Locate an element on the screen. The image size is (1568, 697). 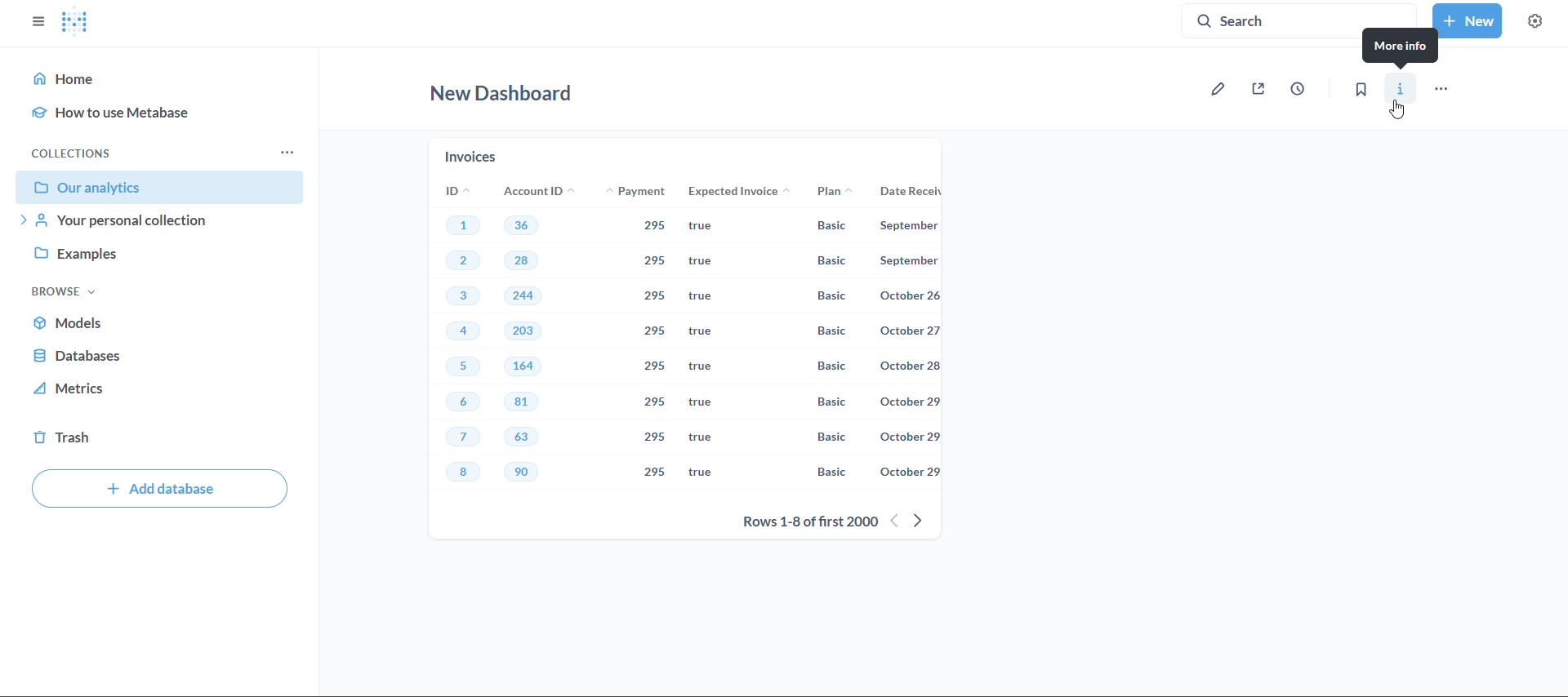
5 is located at coordinates (463, 367).